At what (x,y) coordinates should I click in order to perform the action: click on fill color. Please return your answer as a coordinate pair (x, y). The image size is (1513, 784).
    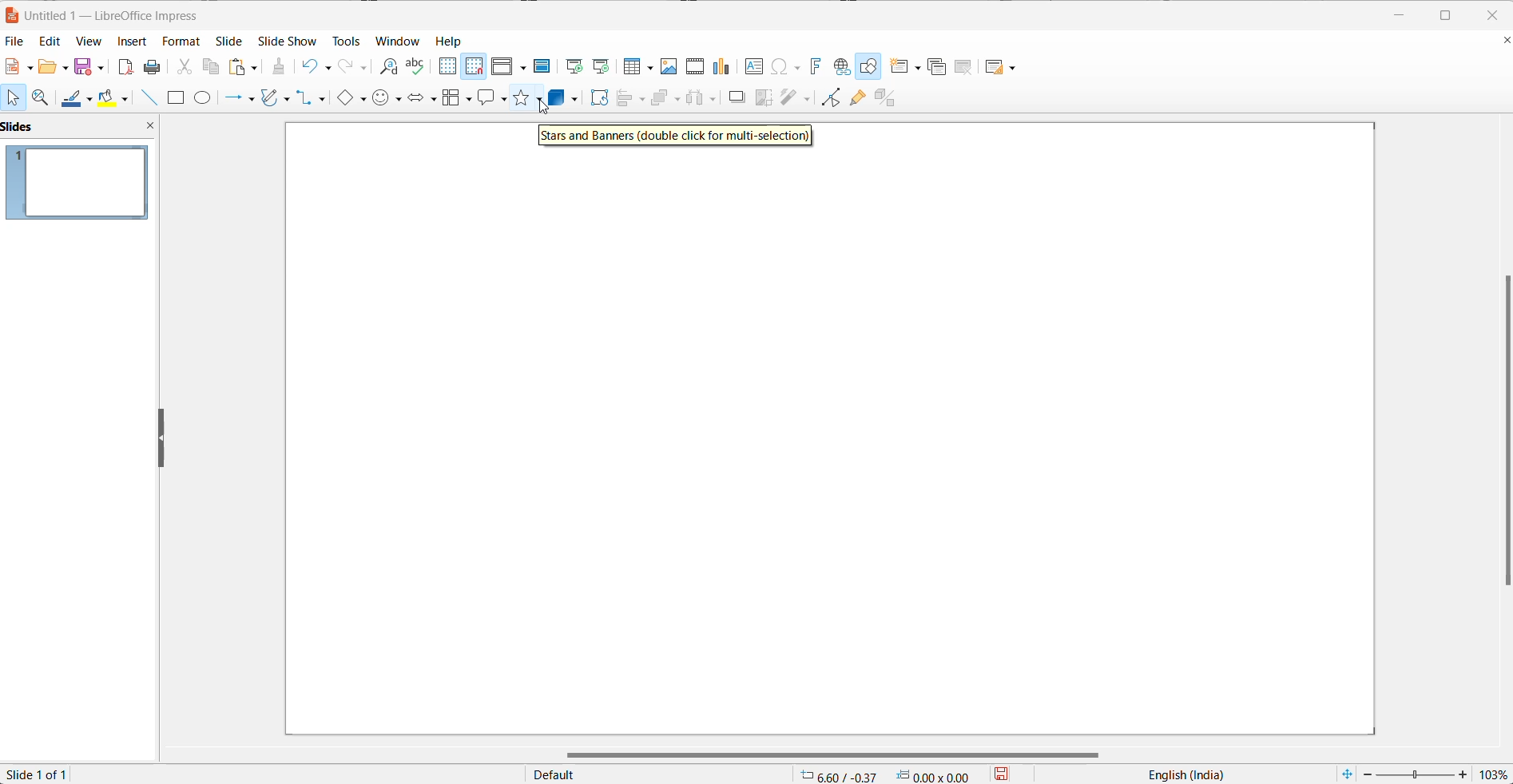
    Looking at the image, I should click on (117, 97).